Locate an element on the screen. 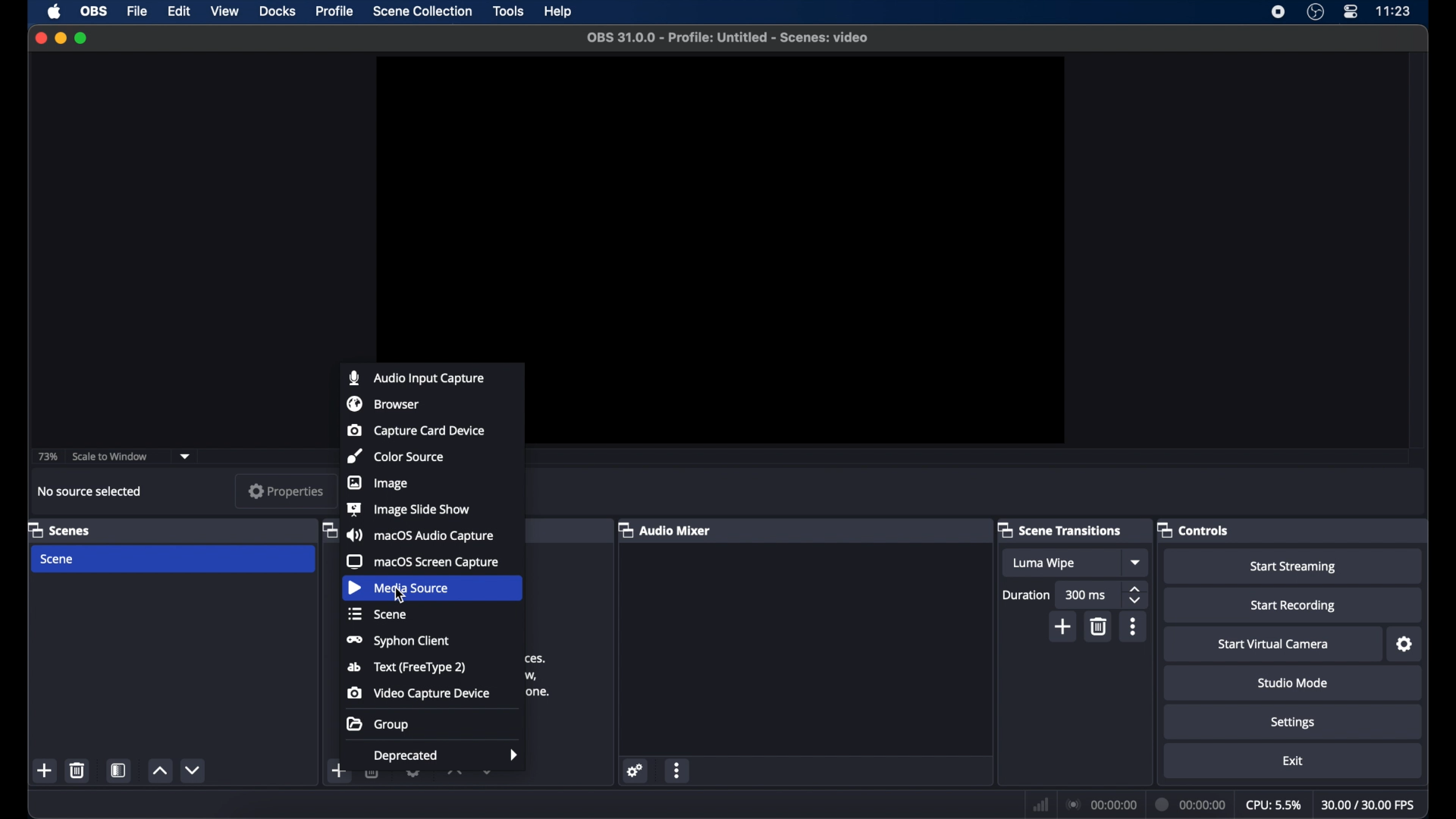 The width and height of the screenshot is (1456, 819). deprecated is located at coordinates (447, 756).